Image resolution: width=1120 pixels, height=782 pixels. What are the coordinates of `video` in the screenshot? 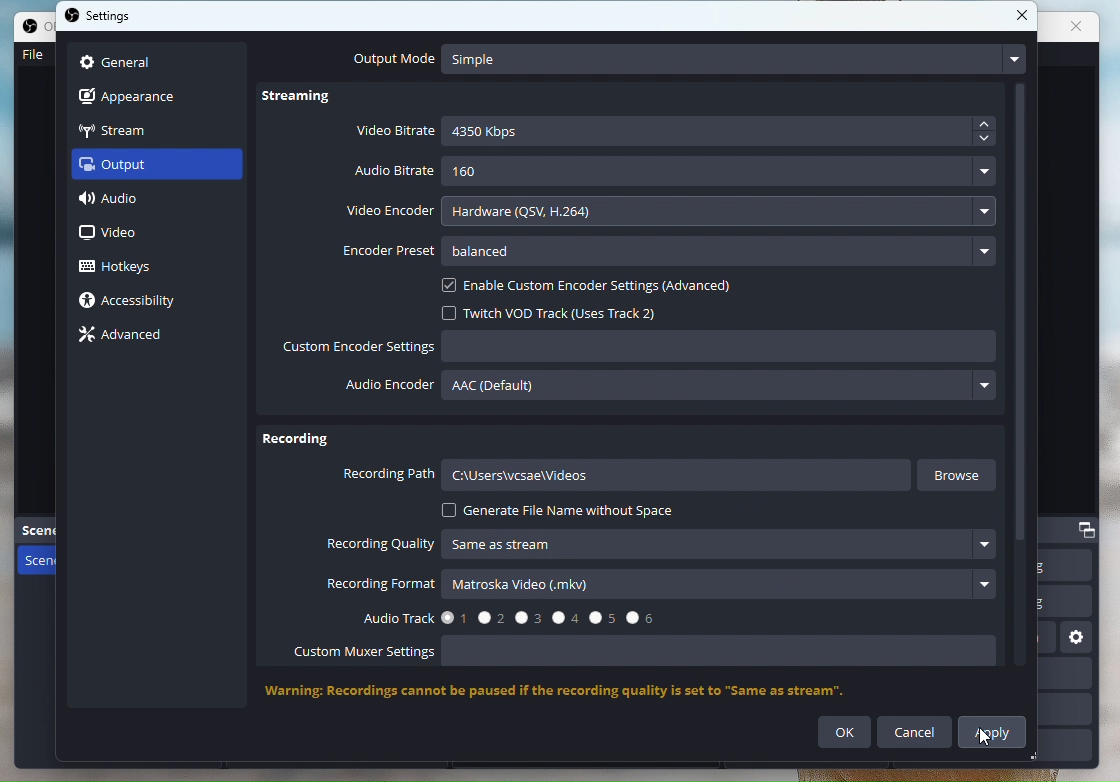 It's located at (114, 234).